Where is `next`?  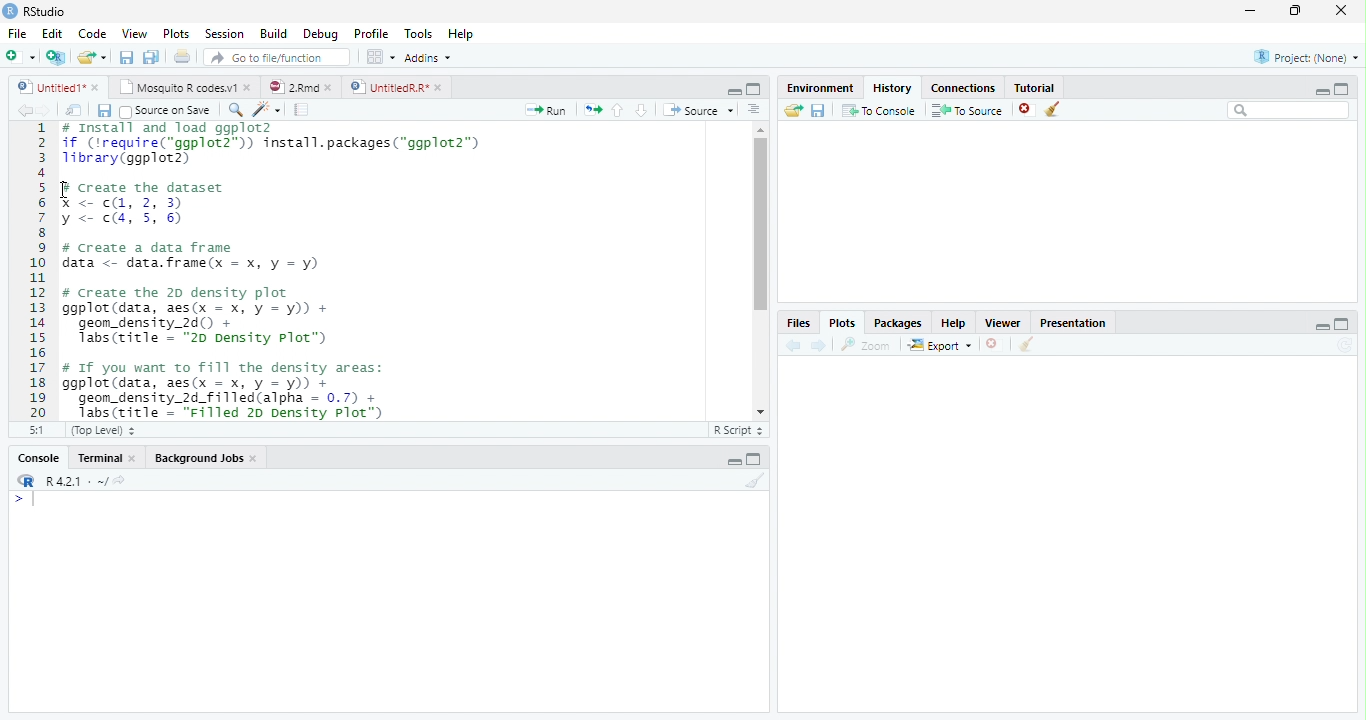
next is located at coordinates (821, 346).